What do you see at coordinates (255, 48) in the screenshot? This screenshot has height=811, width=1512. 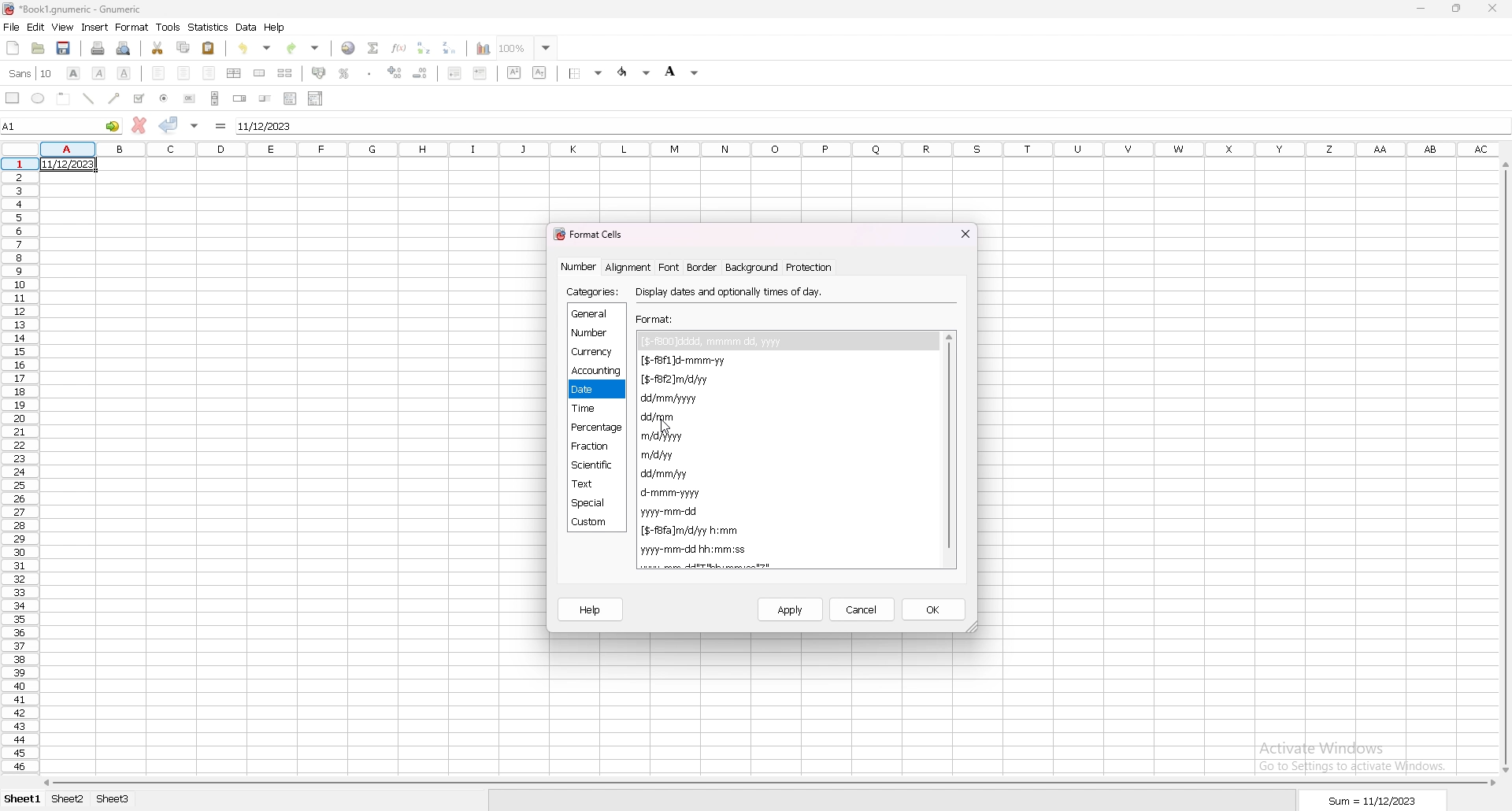 I see `undo` at bounding box center [255, 48].